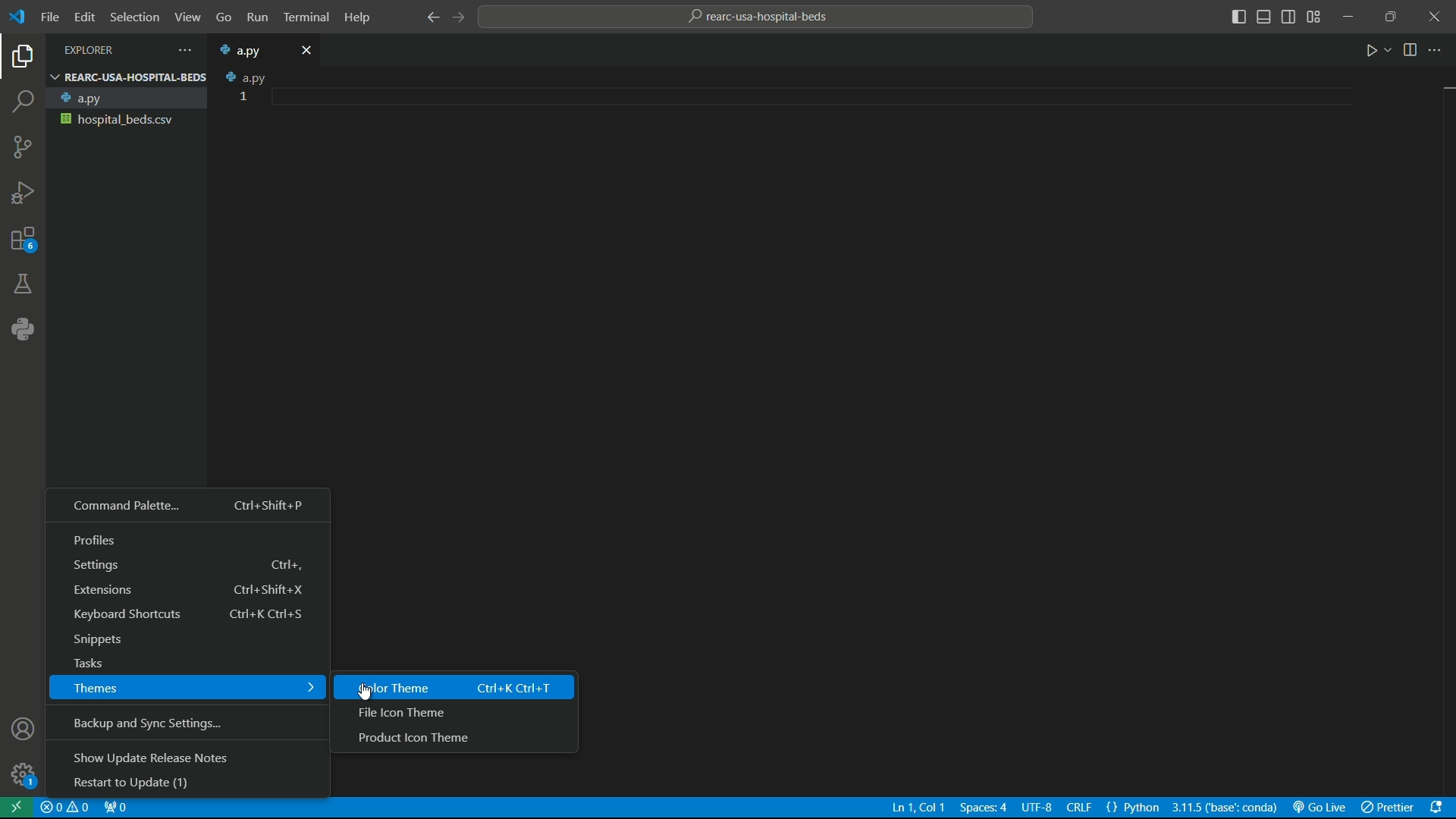  I want to click on view menu, so click(184, 17).